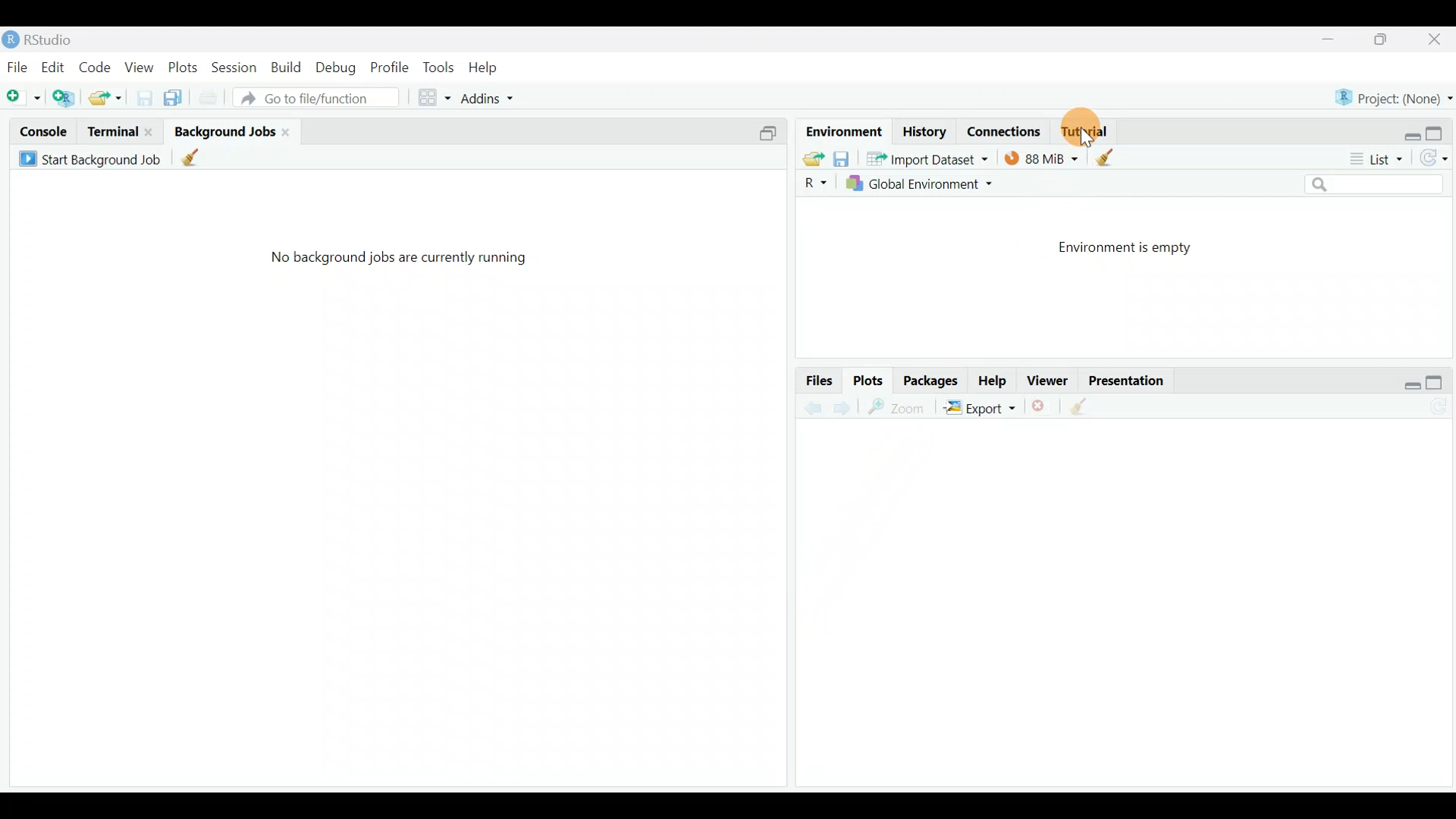  I want to click on Workspace panes, so click(427, 99).